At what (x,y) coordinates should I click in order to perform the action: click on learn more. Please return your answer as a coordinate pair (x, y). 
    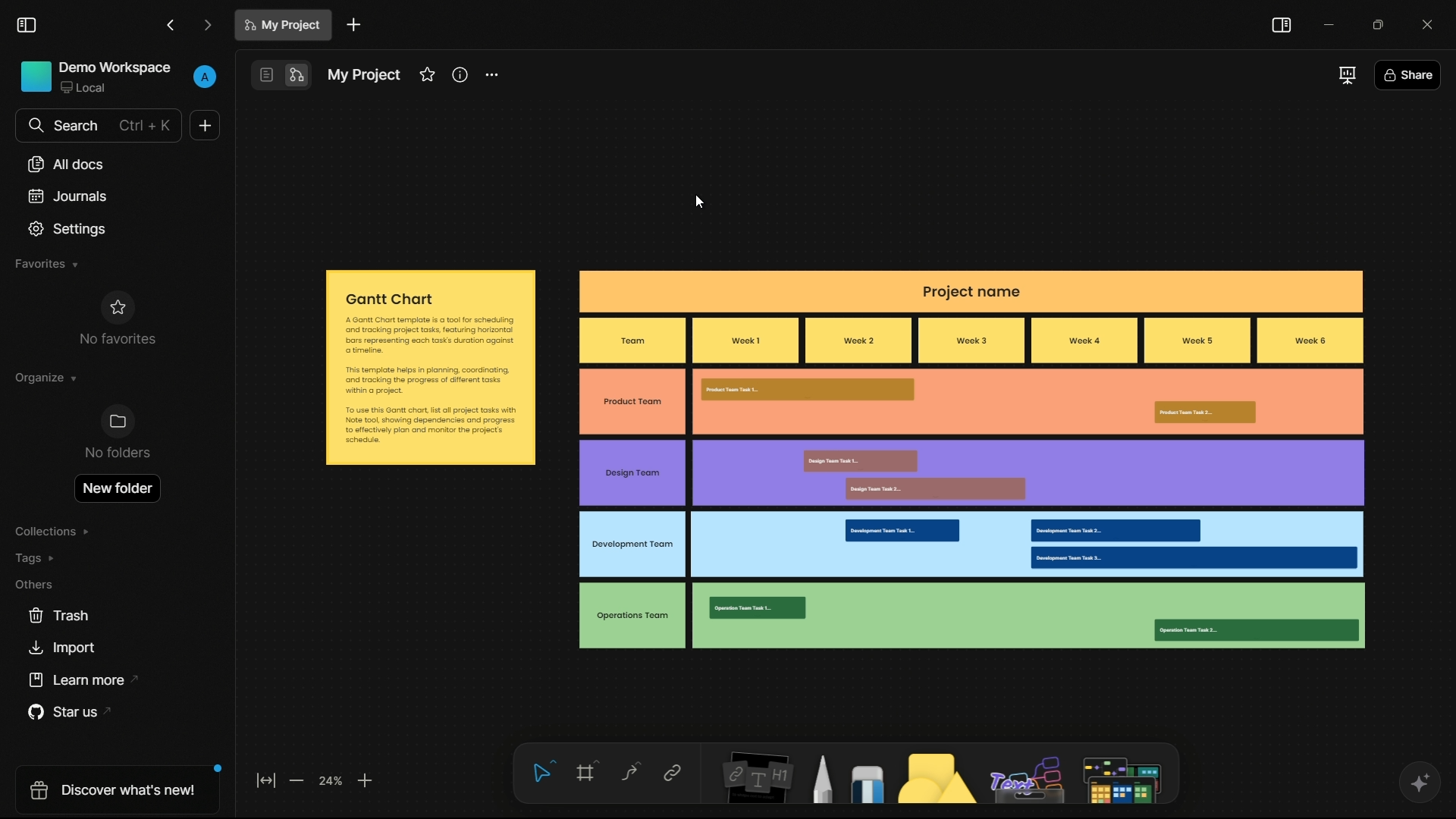
    Looking at the image, I should click on (74, 679).